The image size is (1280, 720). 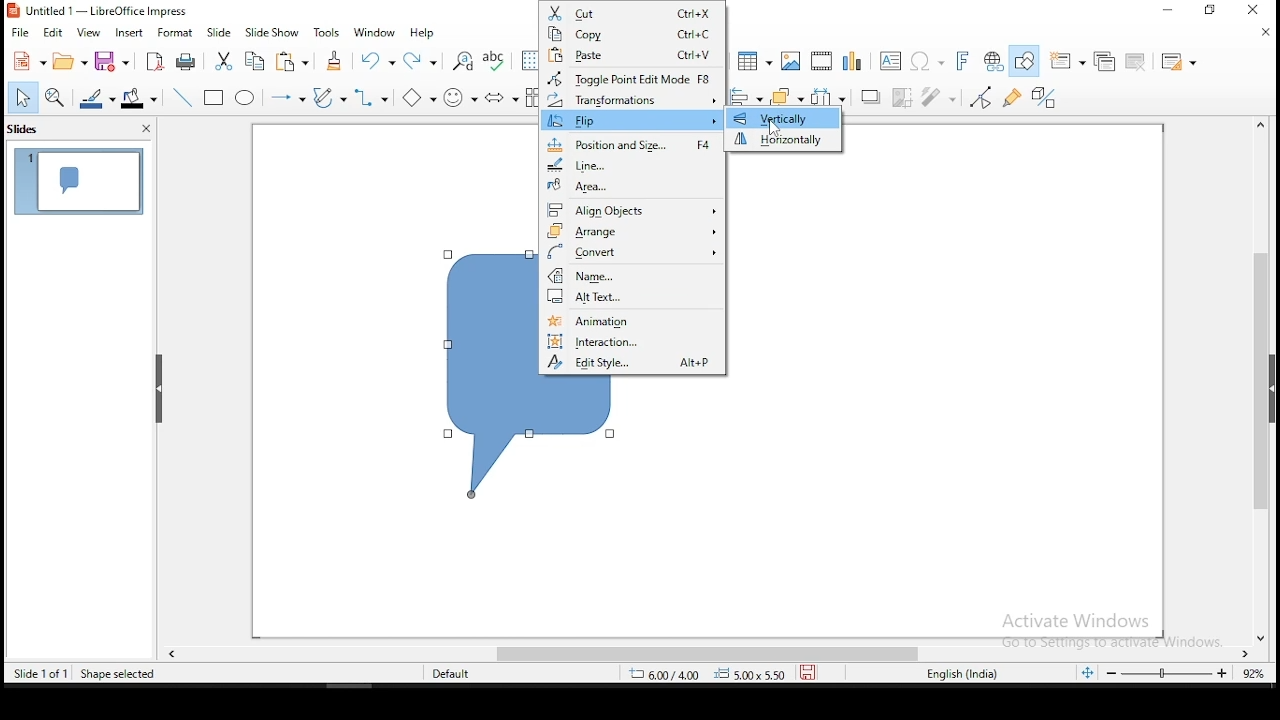 What do you see at coordinates (419, 98) in the screenshot?
I see `basic shapes` at bounding box center [419, 98].